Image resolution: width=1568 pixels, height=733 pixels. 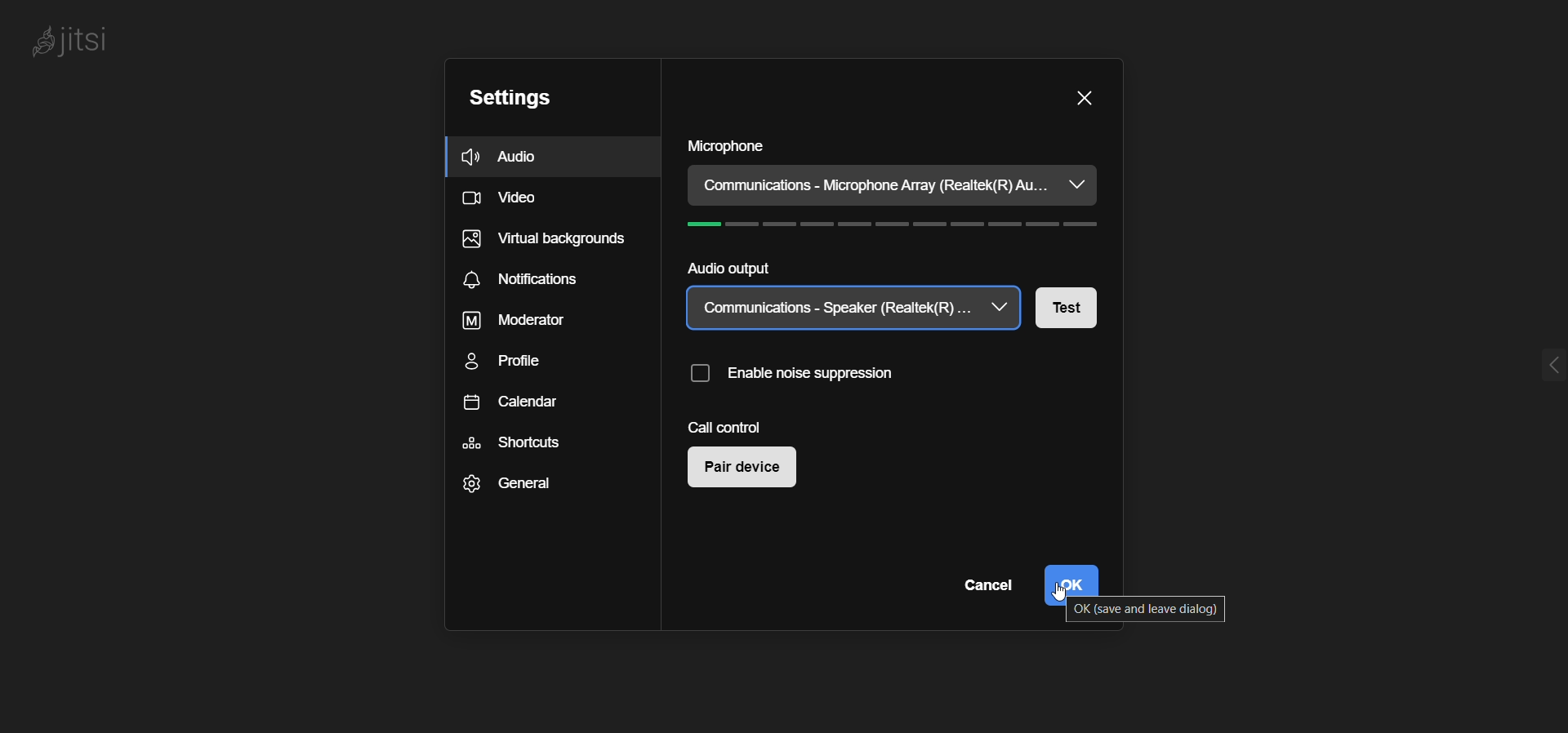 I want to click on pair device, so click(x=749, y=470).